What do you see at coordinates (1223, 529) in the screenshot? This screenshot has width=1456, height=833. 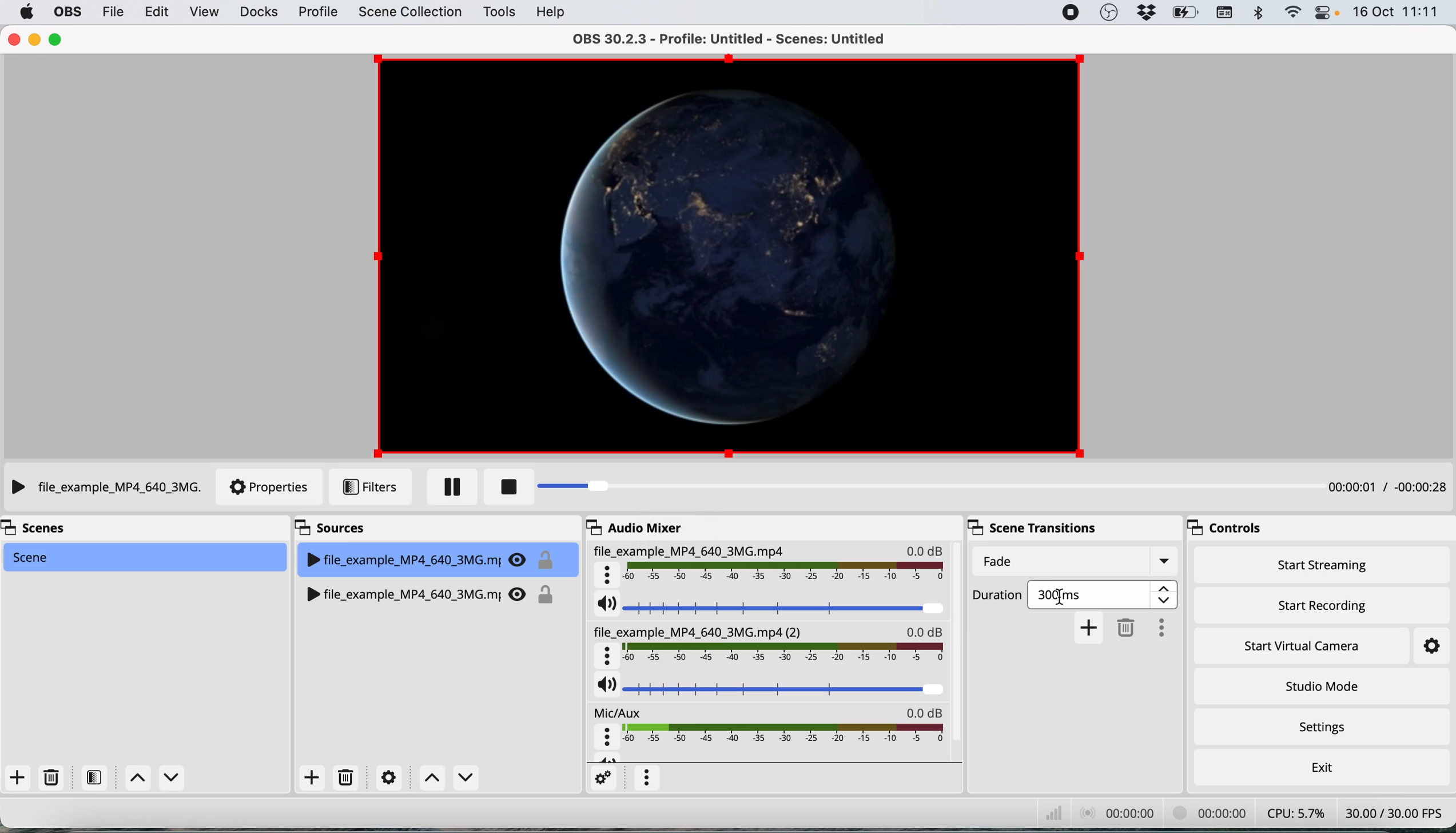 I see `controls` at bounding box center [1223, 529].